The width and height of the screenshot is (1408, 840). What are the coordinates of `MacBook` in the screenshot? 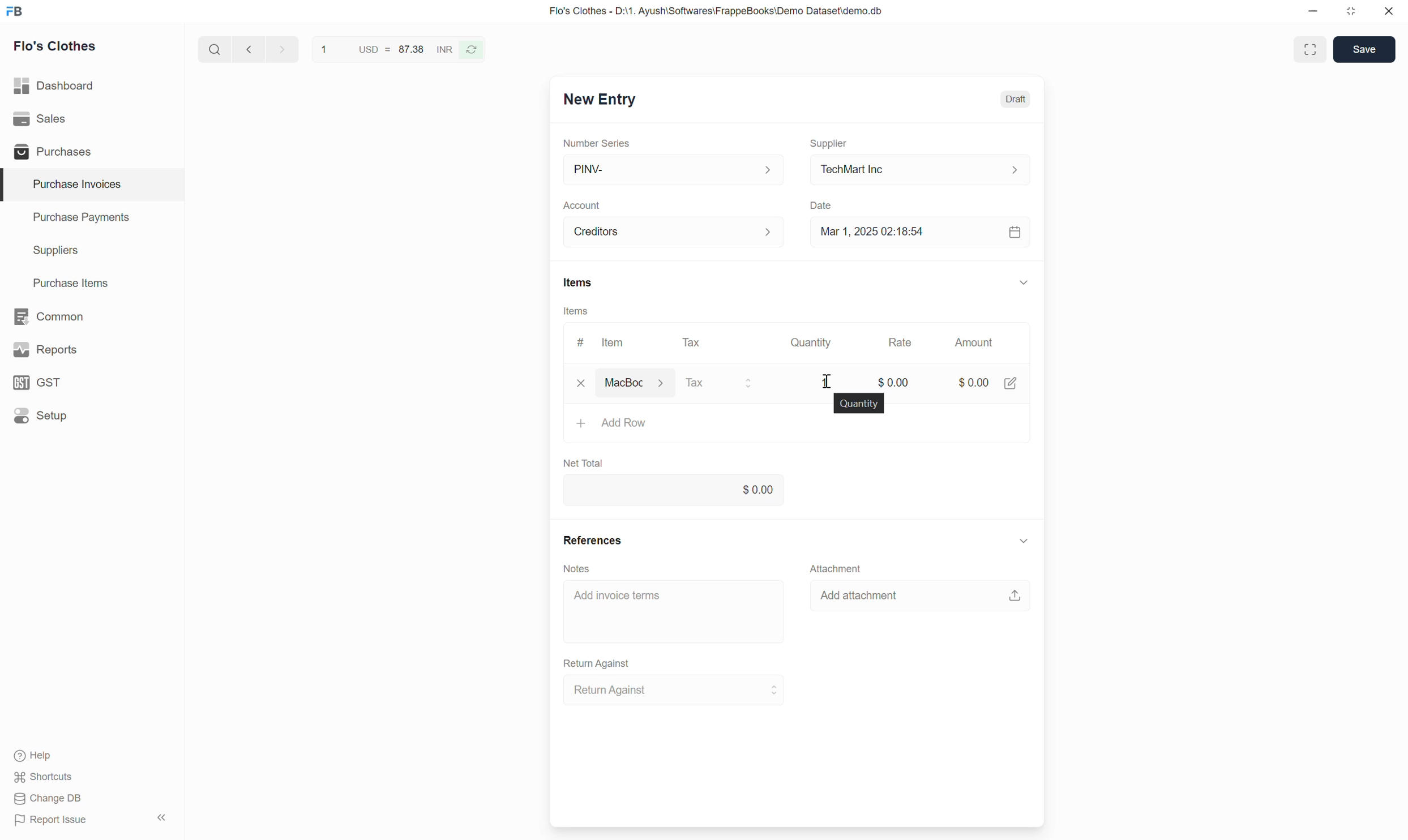 It's located at (640, 383).